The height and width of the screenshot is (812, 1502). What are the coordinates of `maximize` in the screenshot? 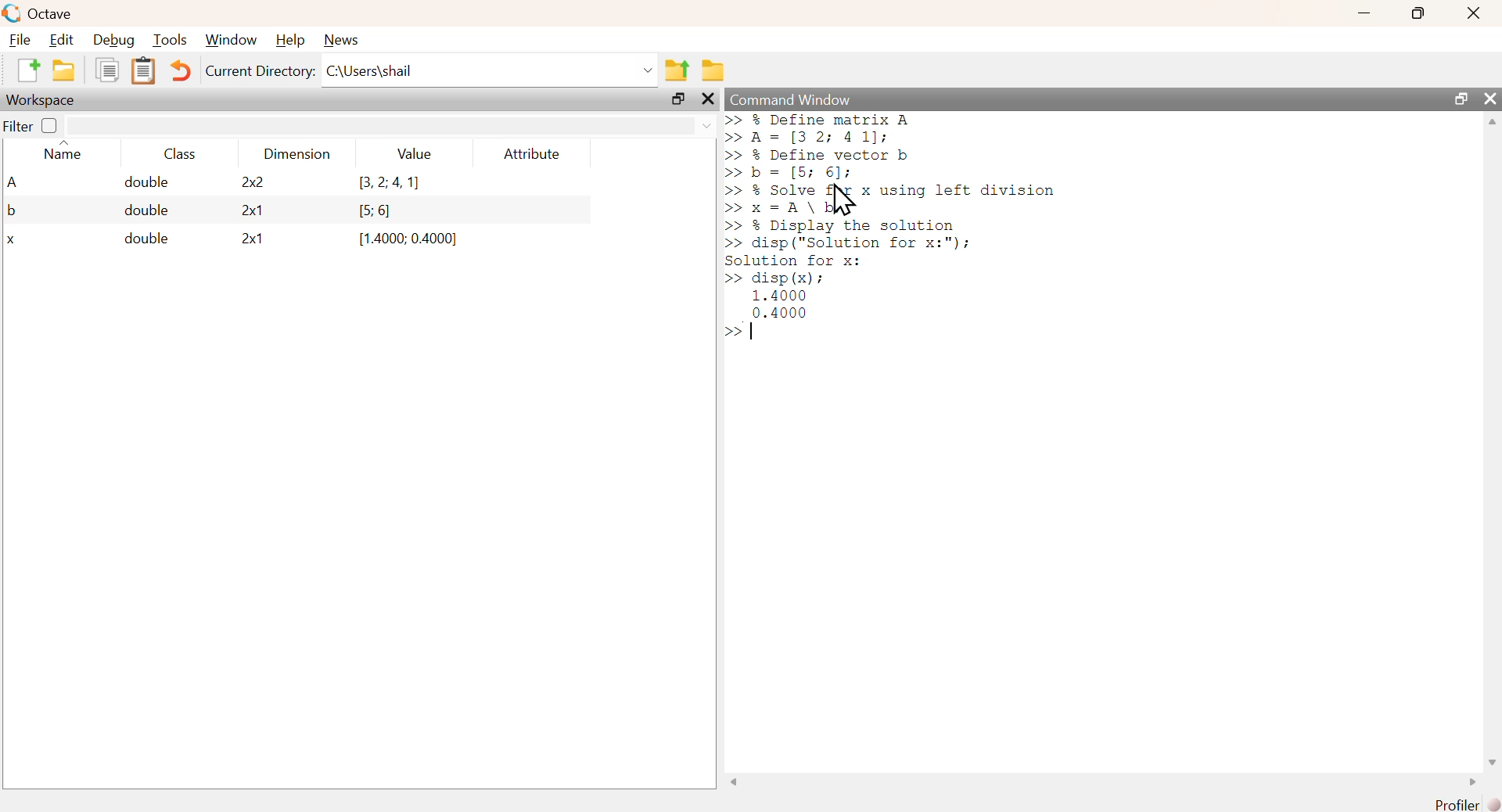 It's located at (1416, 13).